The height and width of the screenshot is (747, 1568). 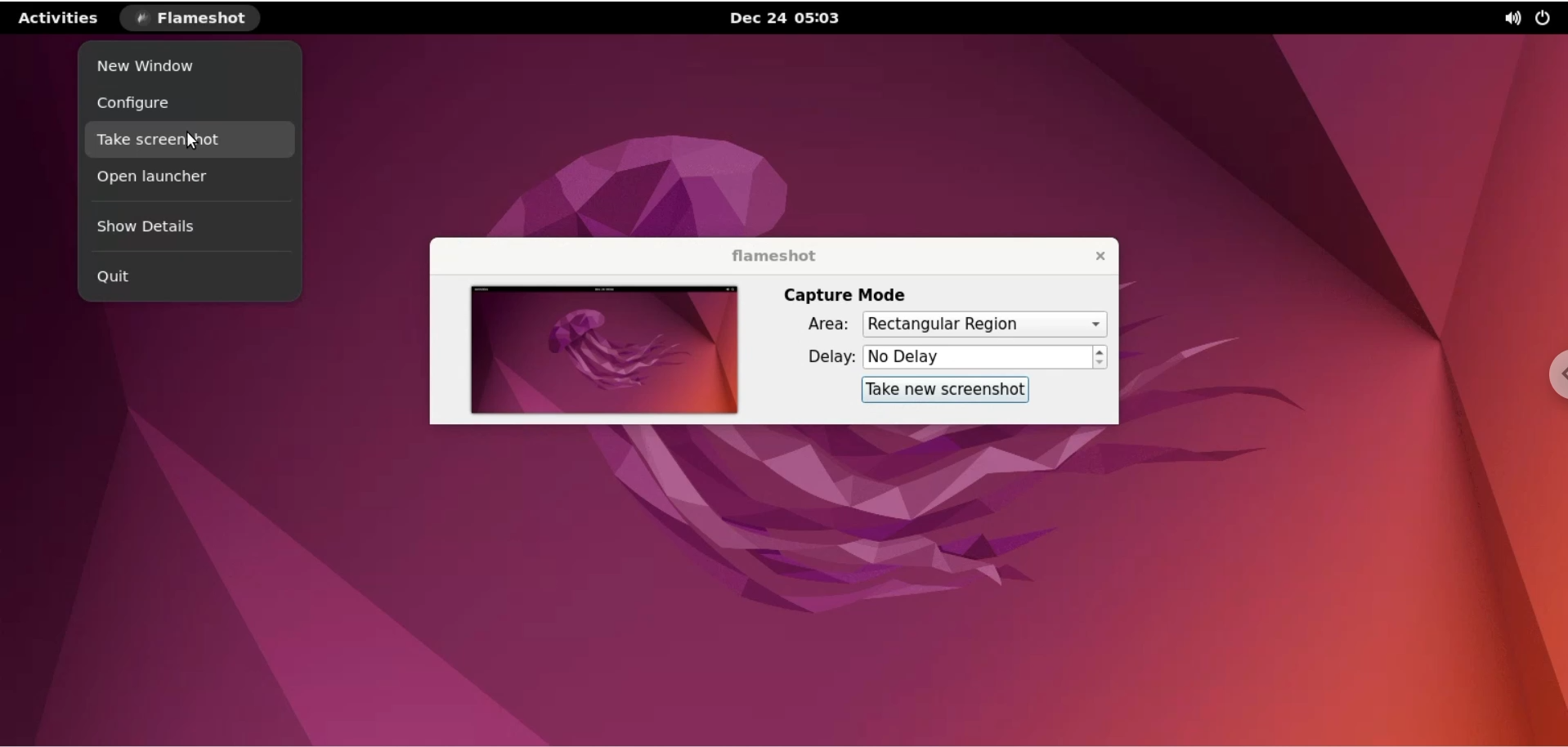 I want to click on area options, so click(x=985, y=324).